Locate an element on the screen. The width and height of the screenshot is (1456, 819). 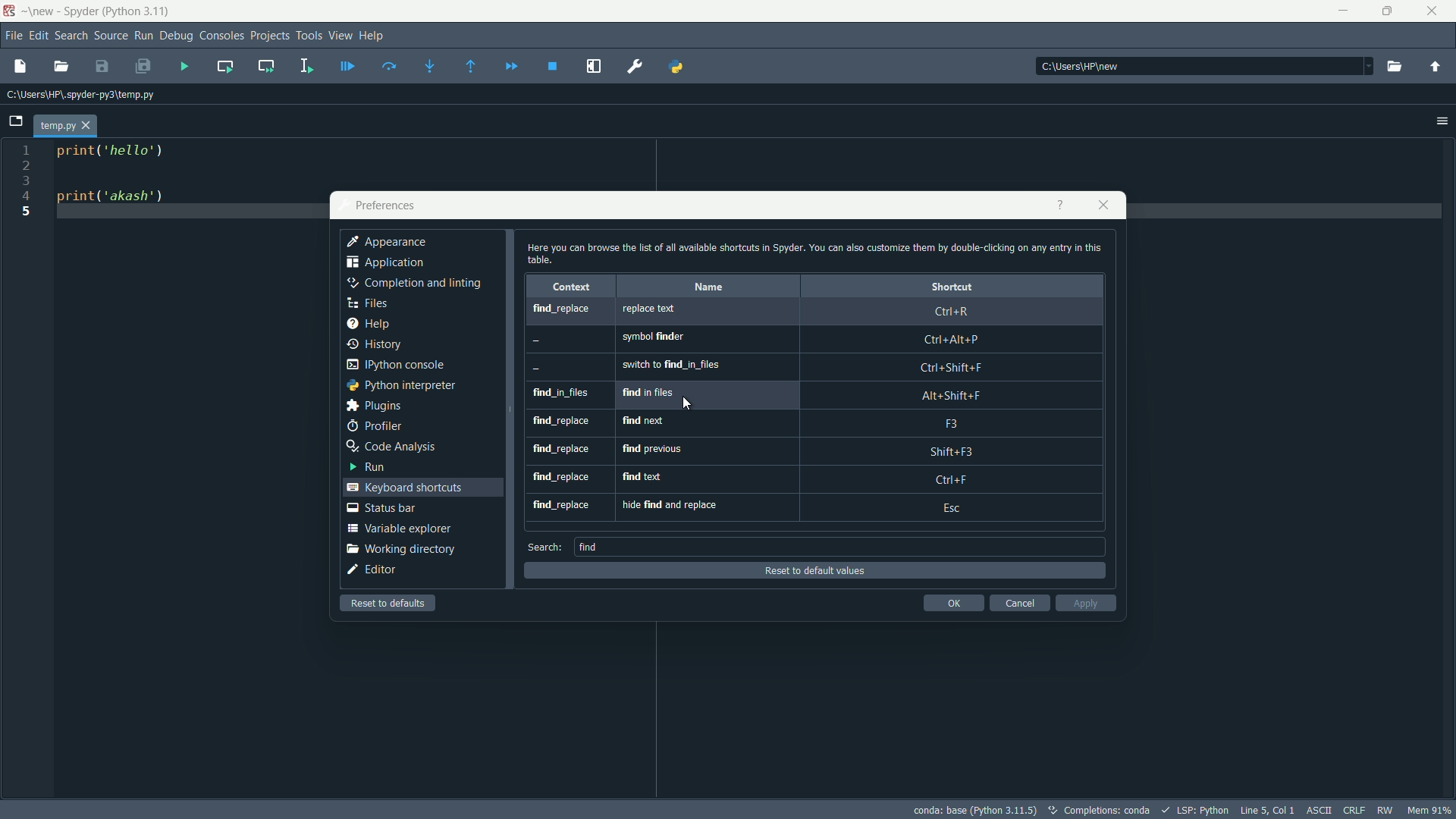
find_replace, hide find and replace, Esc is located at coordinates (817, 507).